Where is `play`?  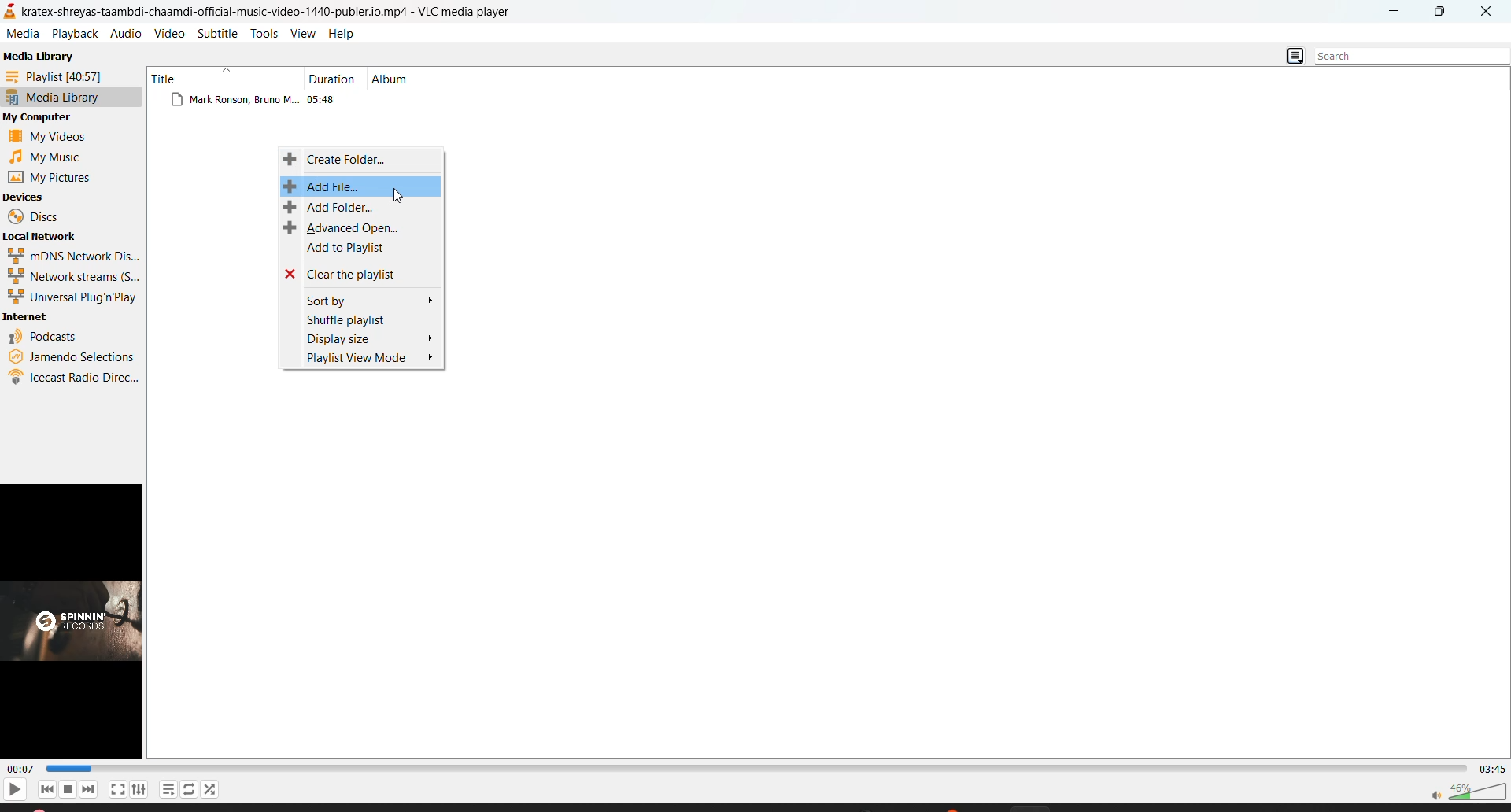
play is located at coordinates (11, 788).